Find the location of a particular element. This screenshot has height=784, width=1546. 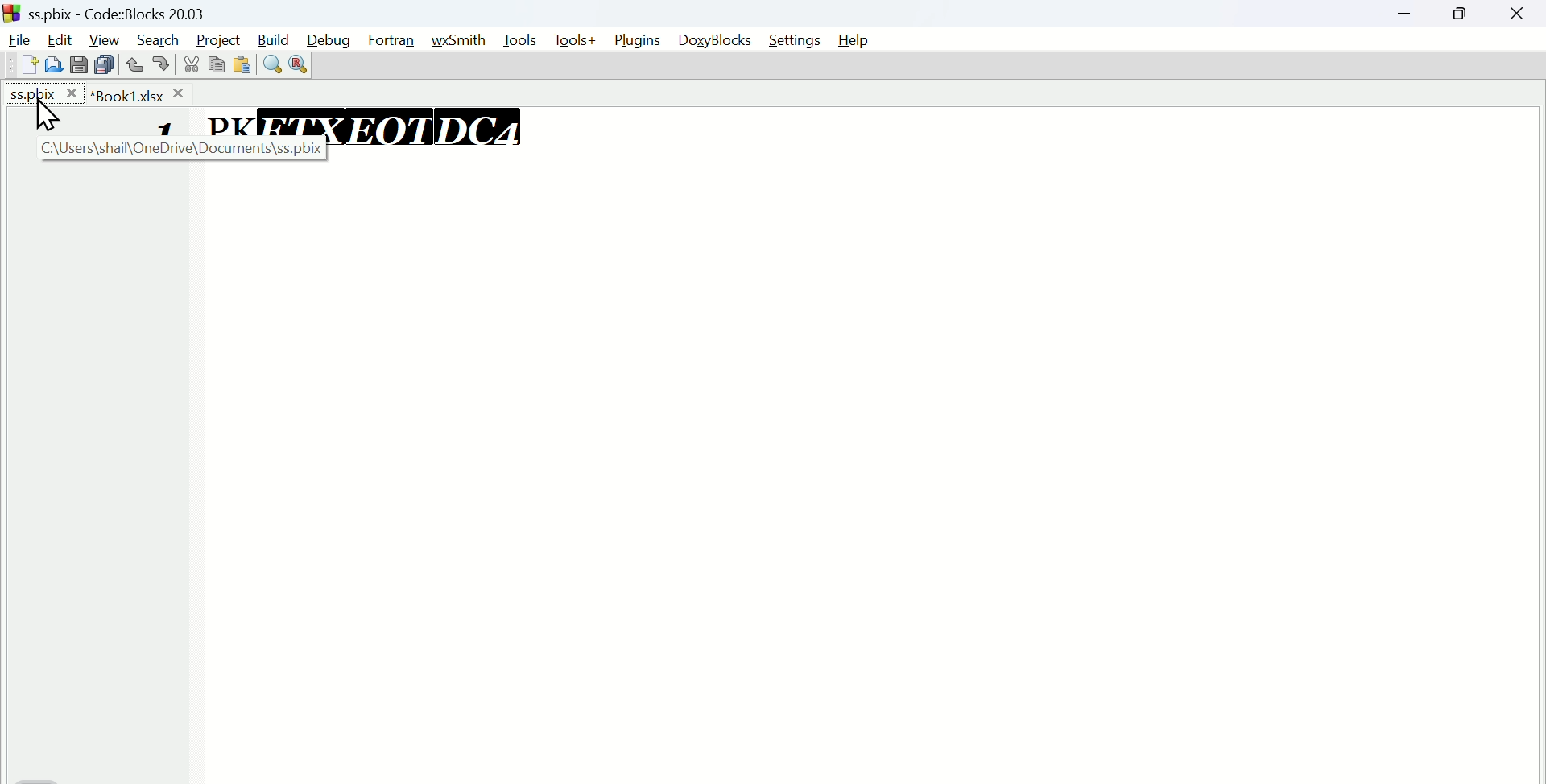

Copy is located at coordinates (81, 64).